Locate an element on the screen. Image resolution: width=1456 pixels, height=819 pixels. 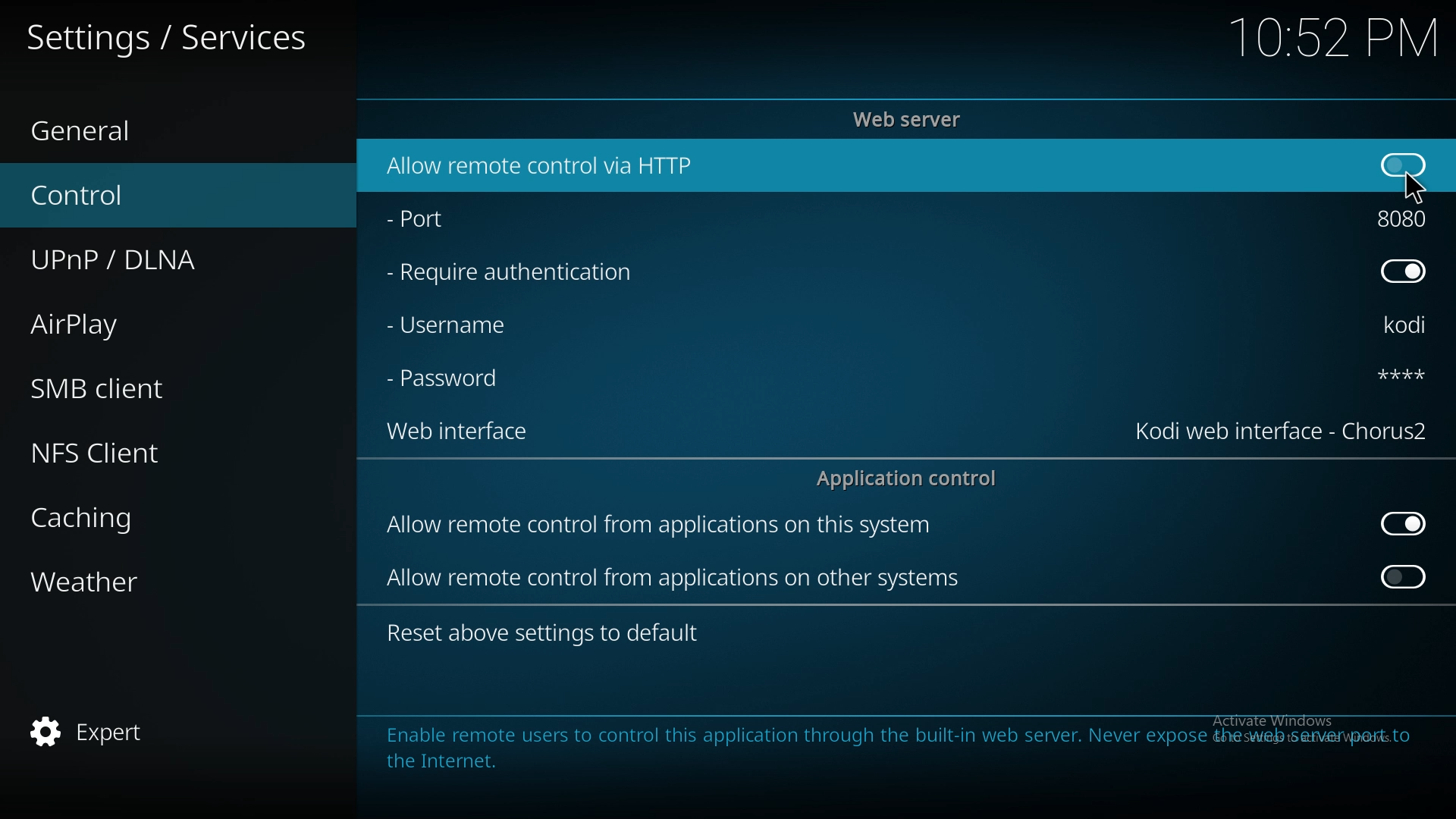
cursor is located at coordinates (1413, 187).